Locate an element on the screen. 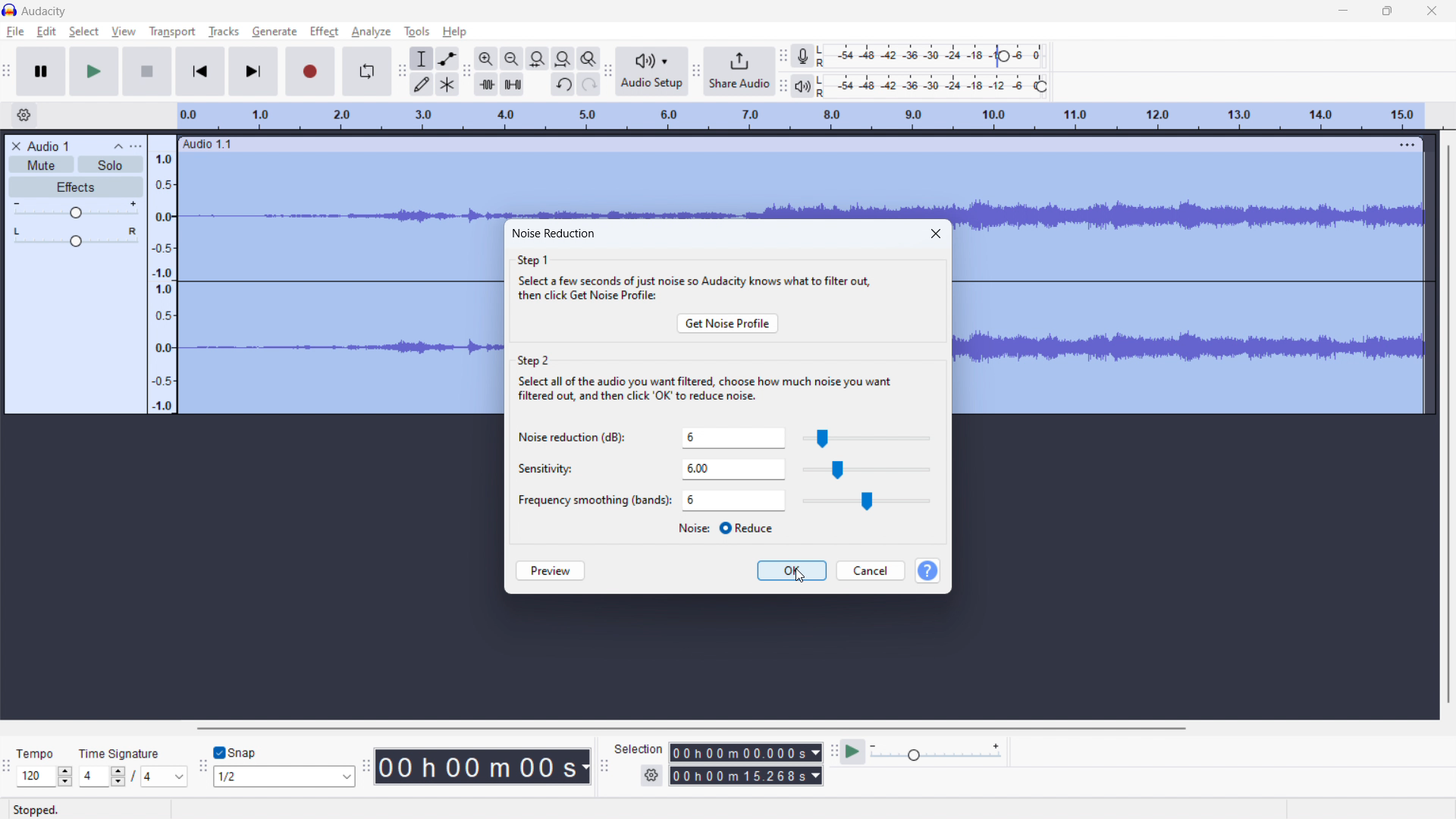  sensitivity is located at coordinates (541, 469).